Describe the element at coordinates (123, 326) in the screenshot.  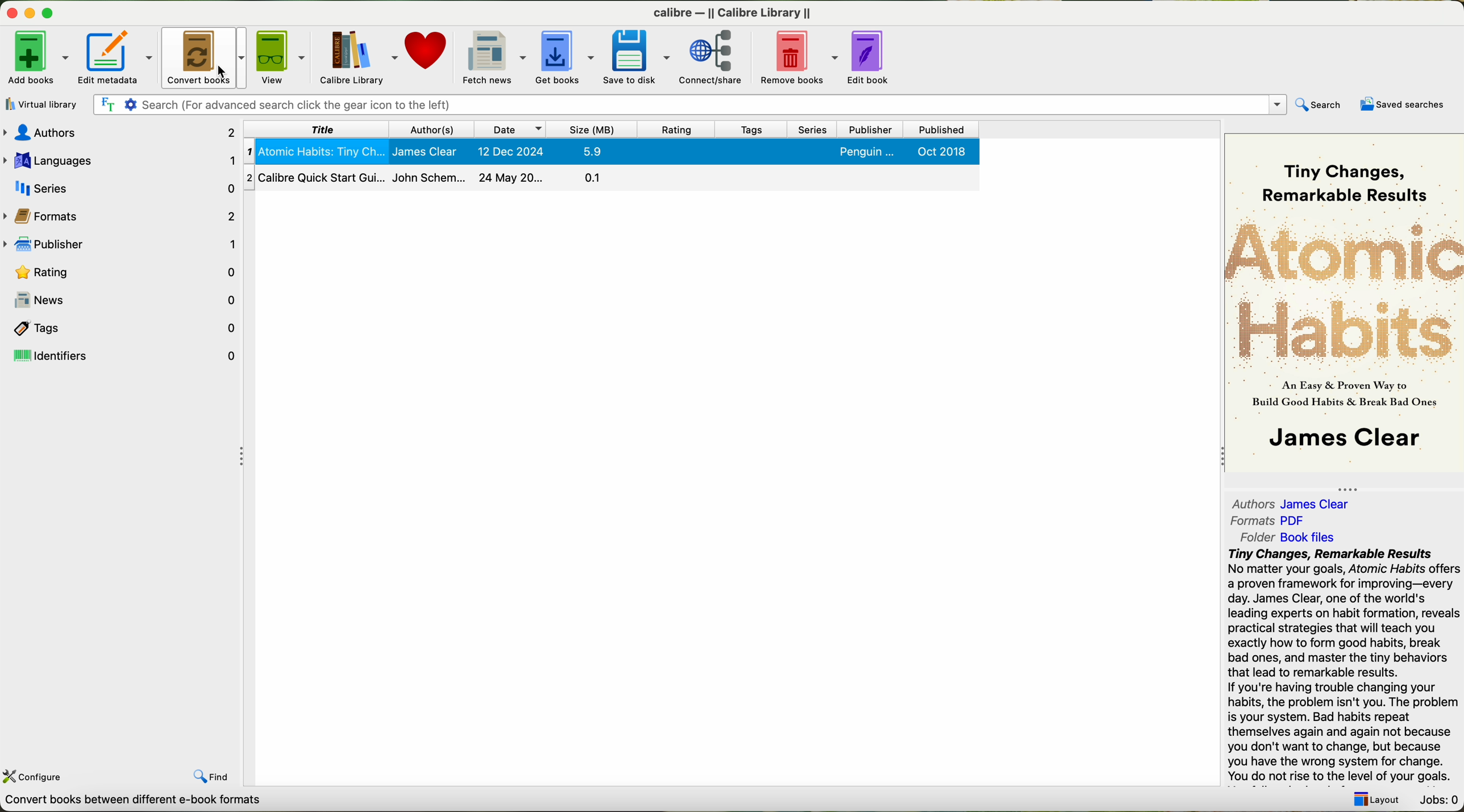
I see `tags` at that location.